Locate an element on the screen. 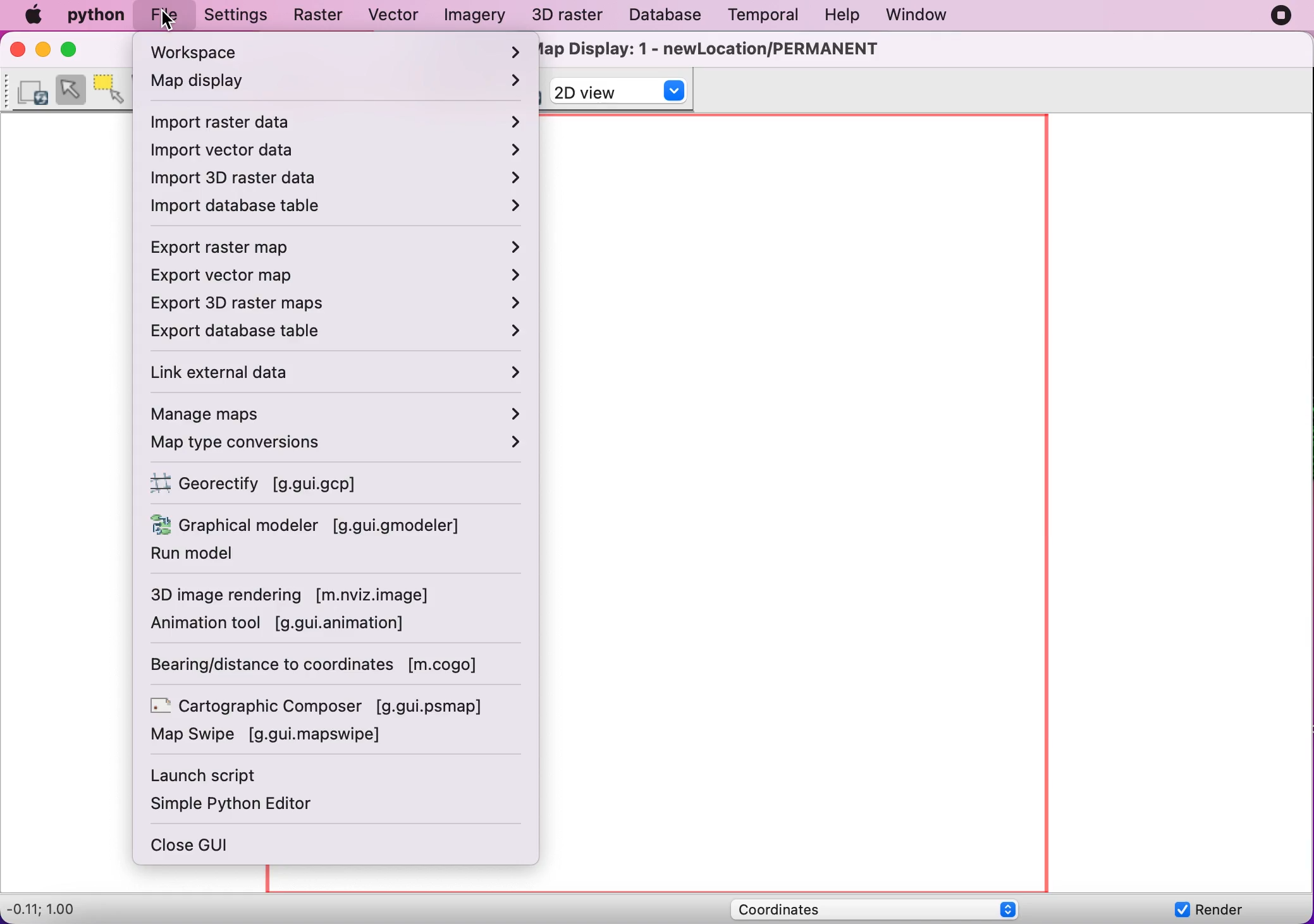 The height and width of the screenshot is (924, 1314). mac logo is located at coordinates (35, 17).